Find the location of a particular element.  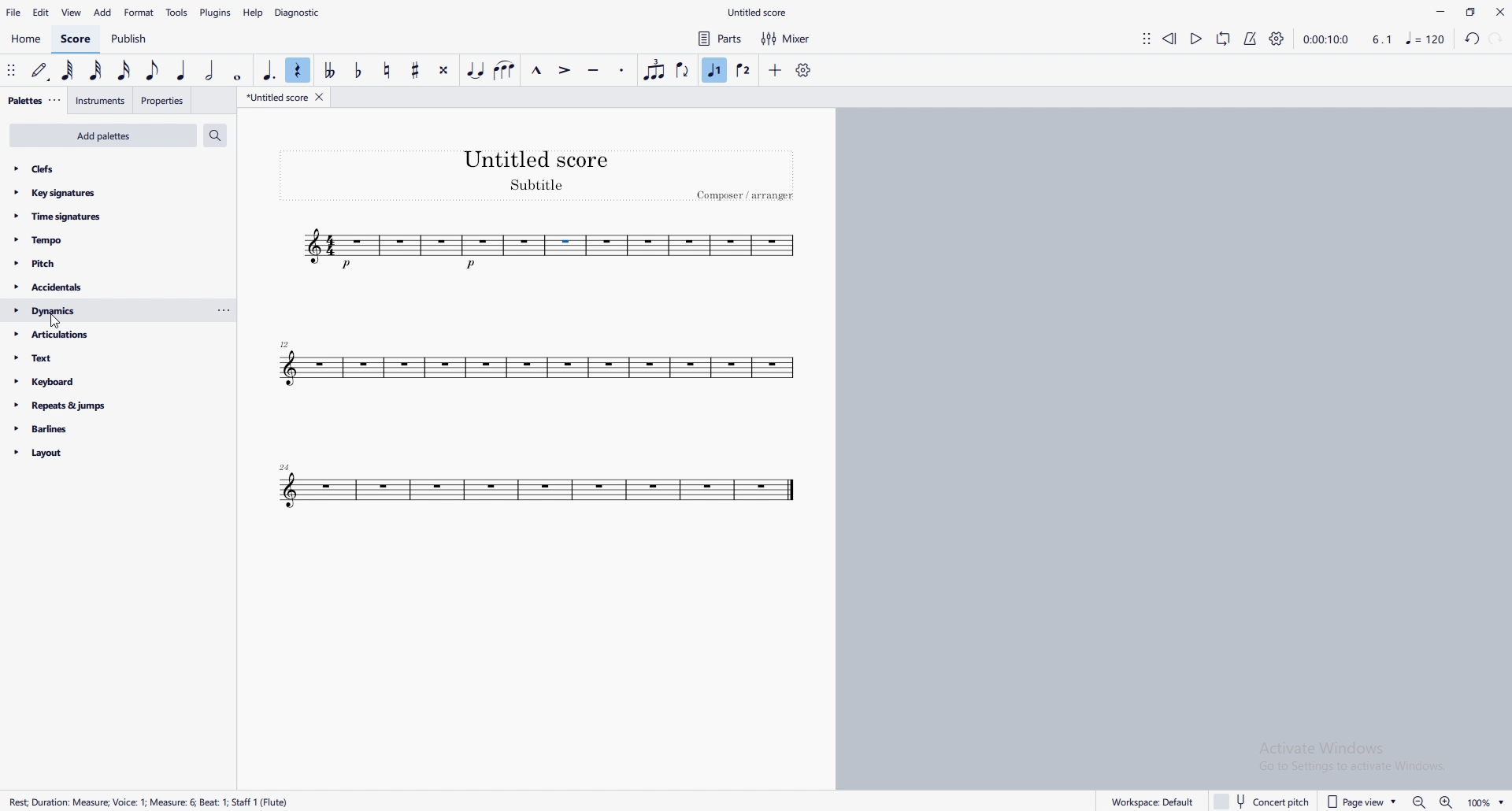

tools is located at coordinates (176, 13).